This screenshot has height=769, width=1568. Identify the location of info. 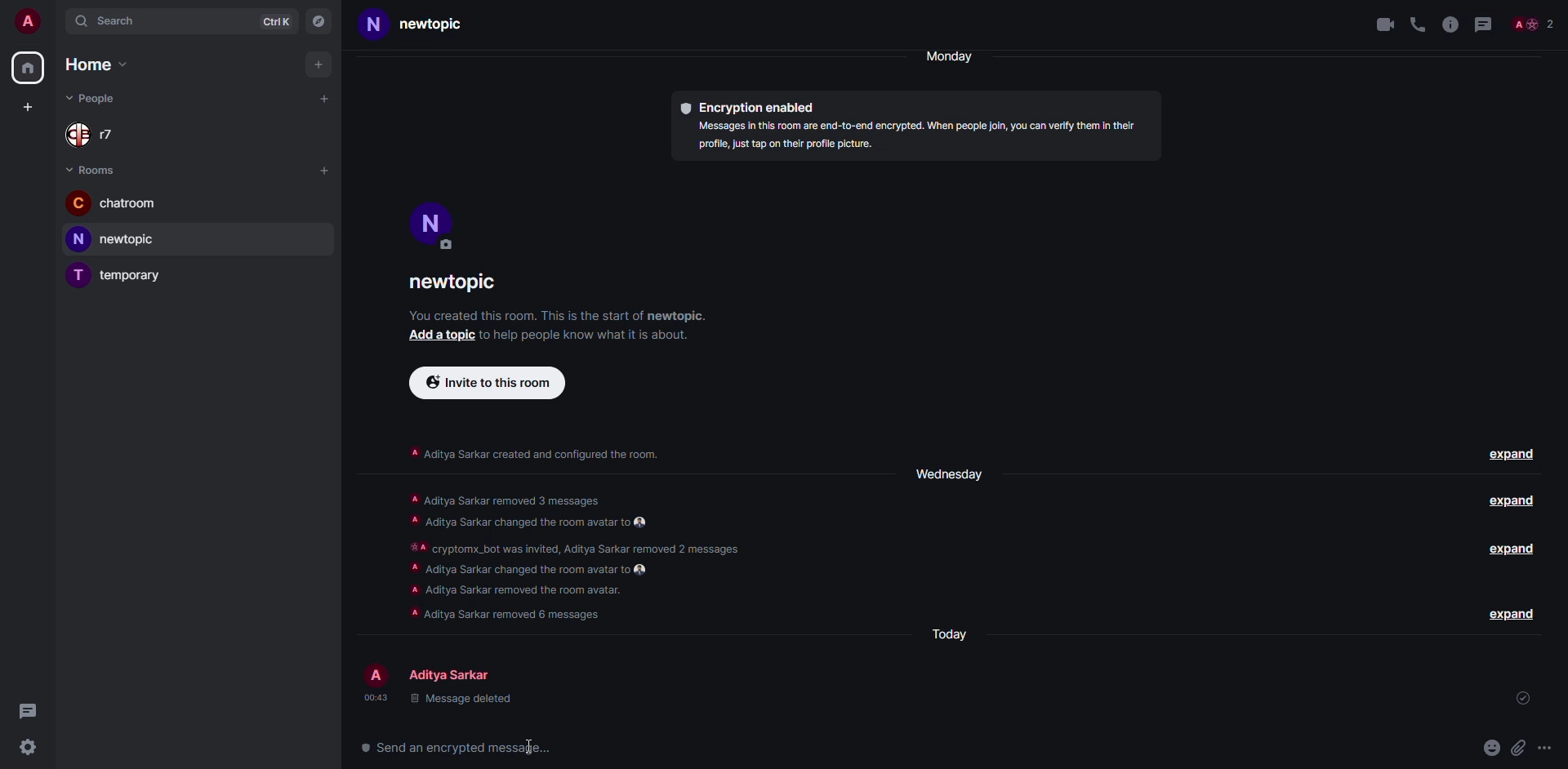
(580, 334).